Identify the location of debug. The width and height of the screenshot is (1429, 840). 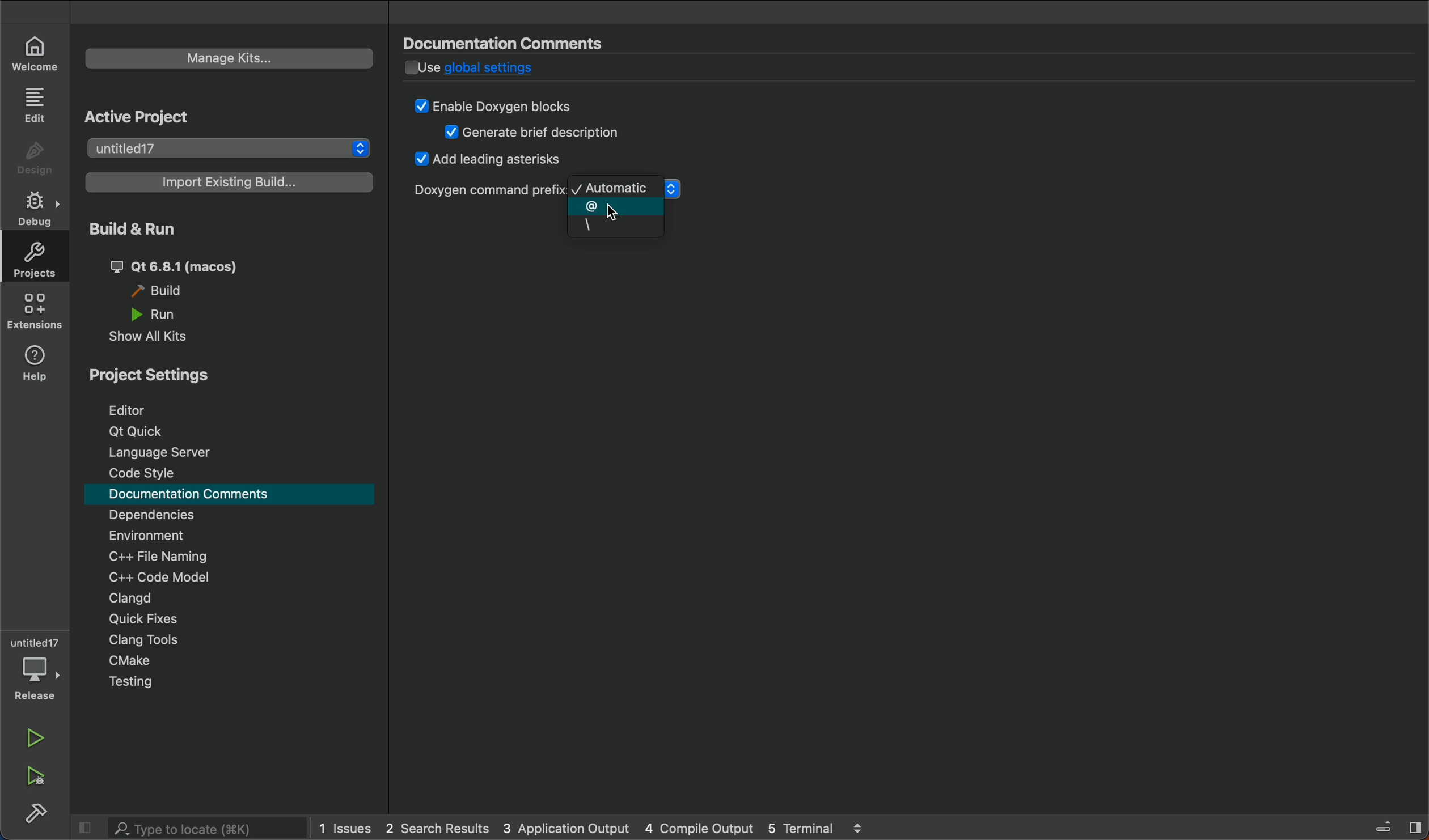
(34, 212).